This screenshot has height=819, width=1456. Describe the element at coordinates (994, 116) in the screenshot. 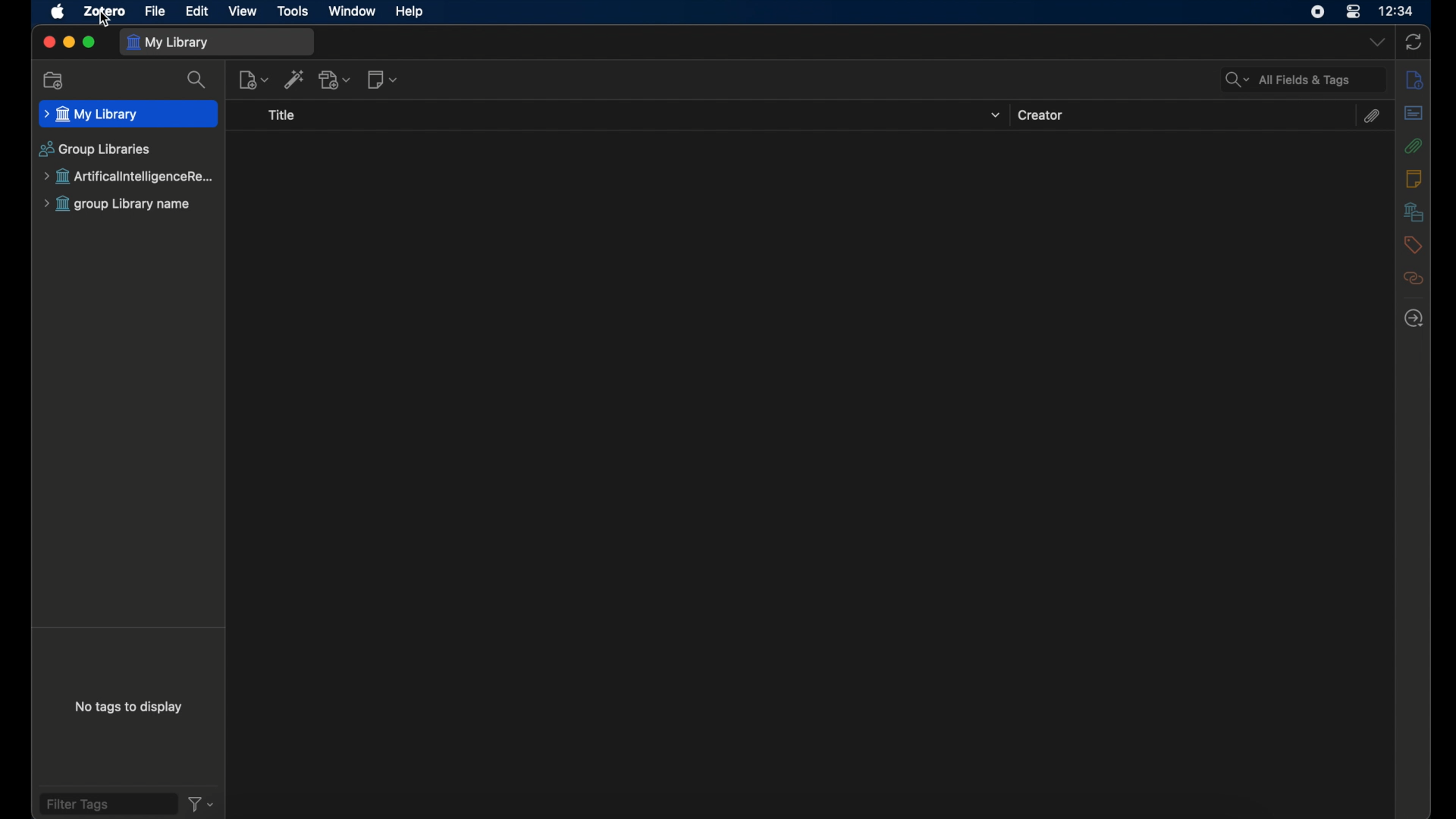

I see `dropdown` at that location.